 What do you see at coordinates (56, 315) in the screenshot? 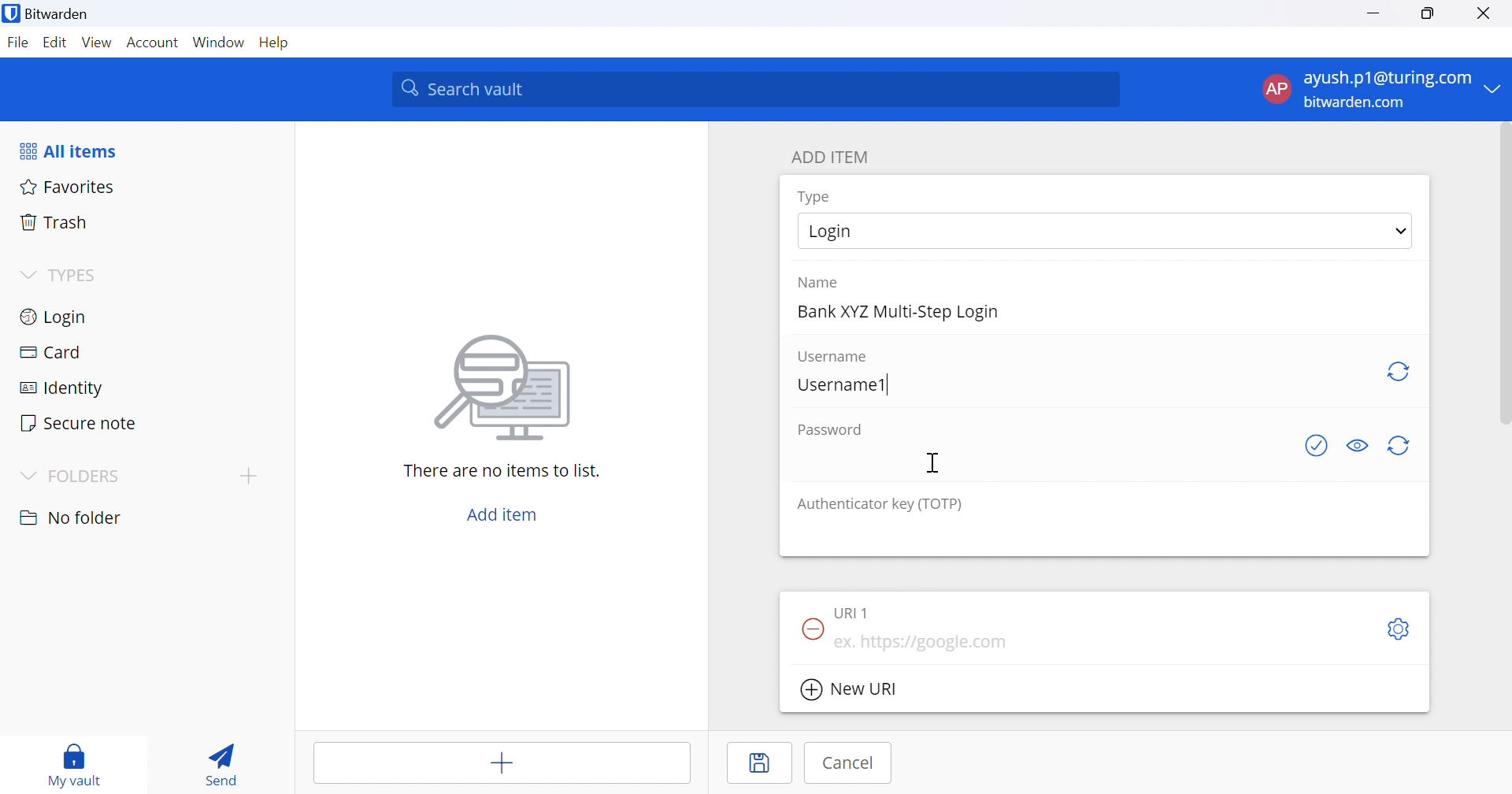
I see `Login` at bounding box center [56, 315].